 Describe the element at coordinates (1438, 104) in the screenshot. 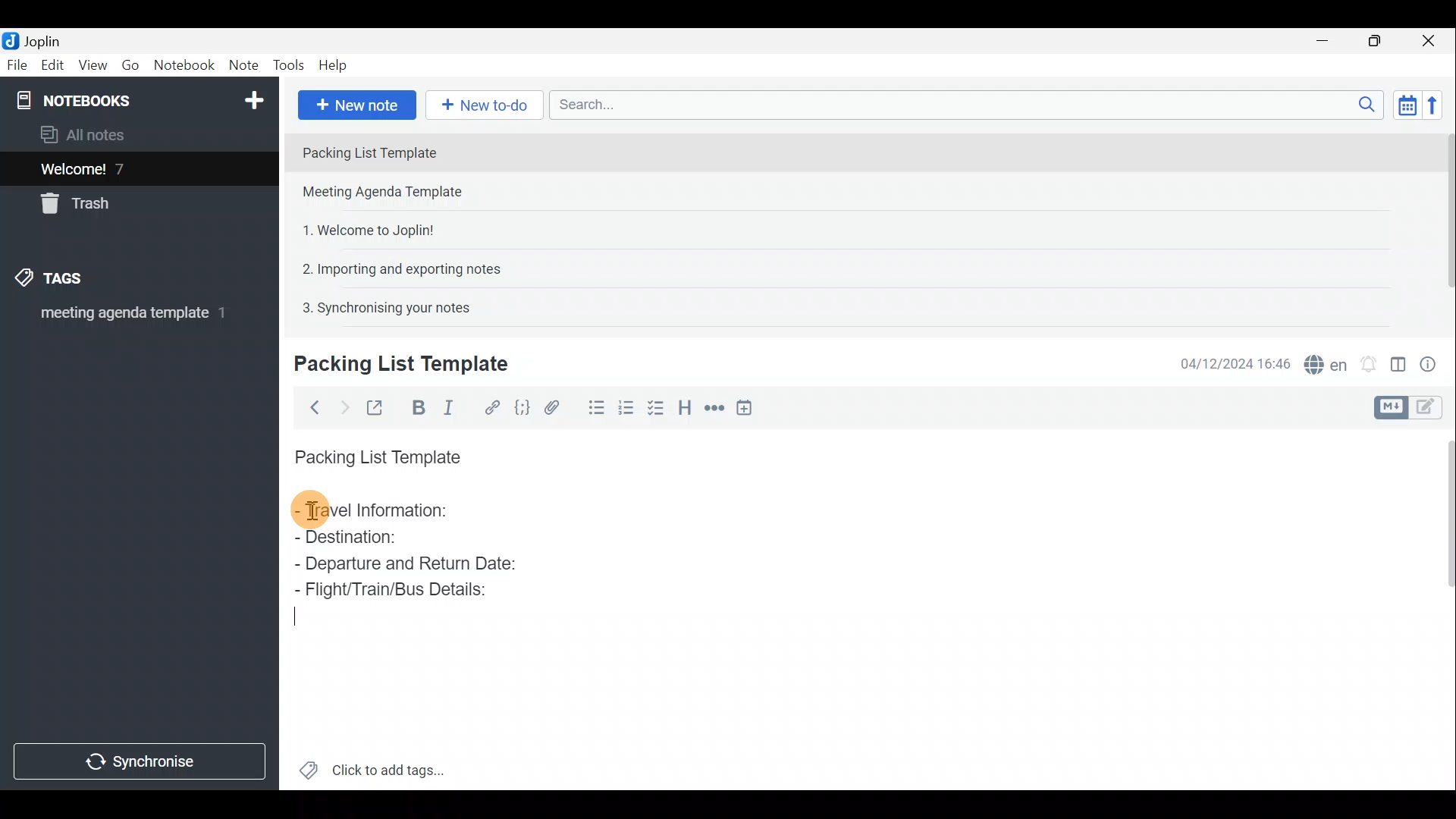

I see `Reverse sort order` at that location.